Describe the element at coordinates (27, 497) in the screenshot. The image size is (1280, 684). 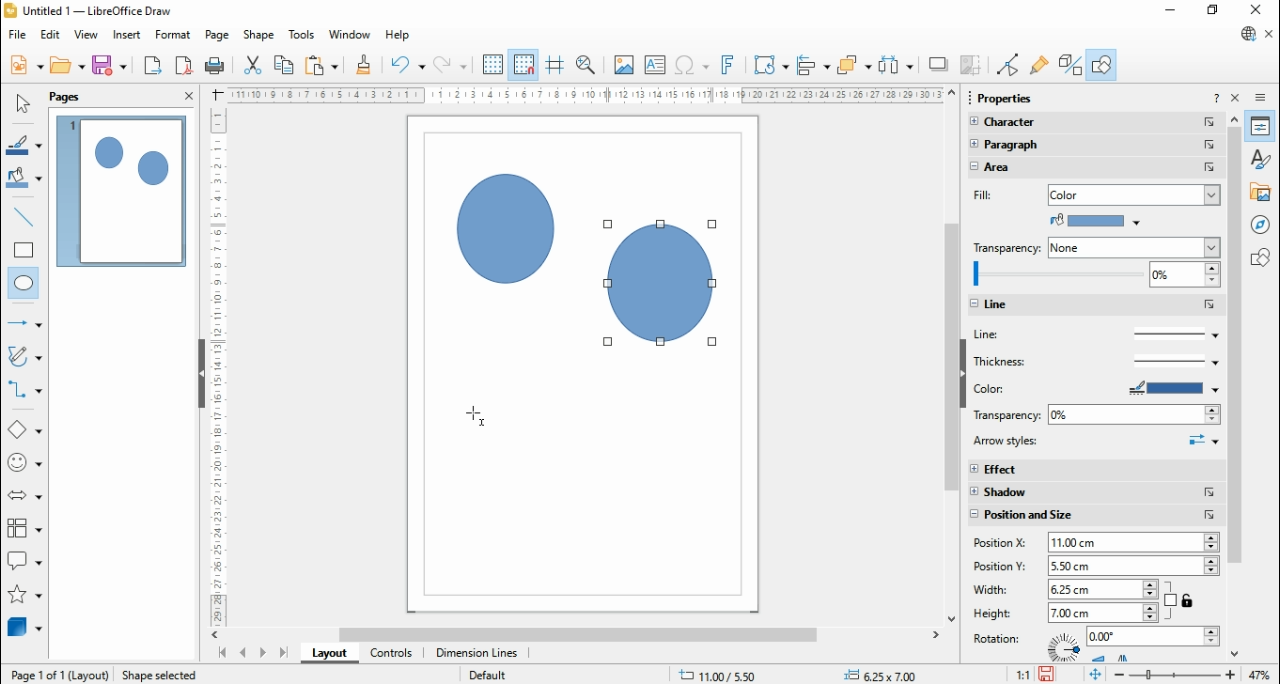
I see `block arrows` at that location.